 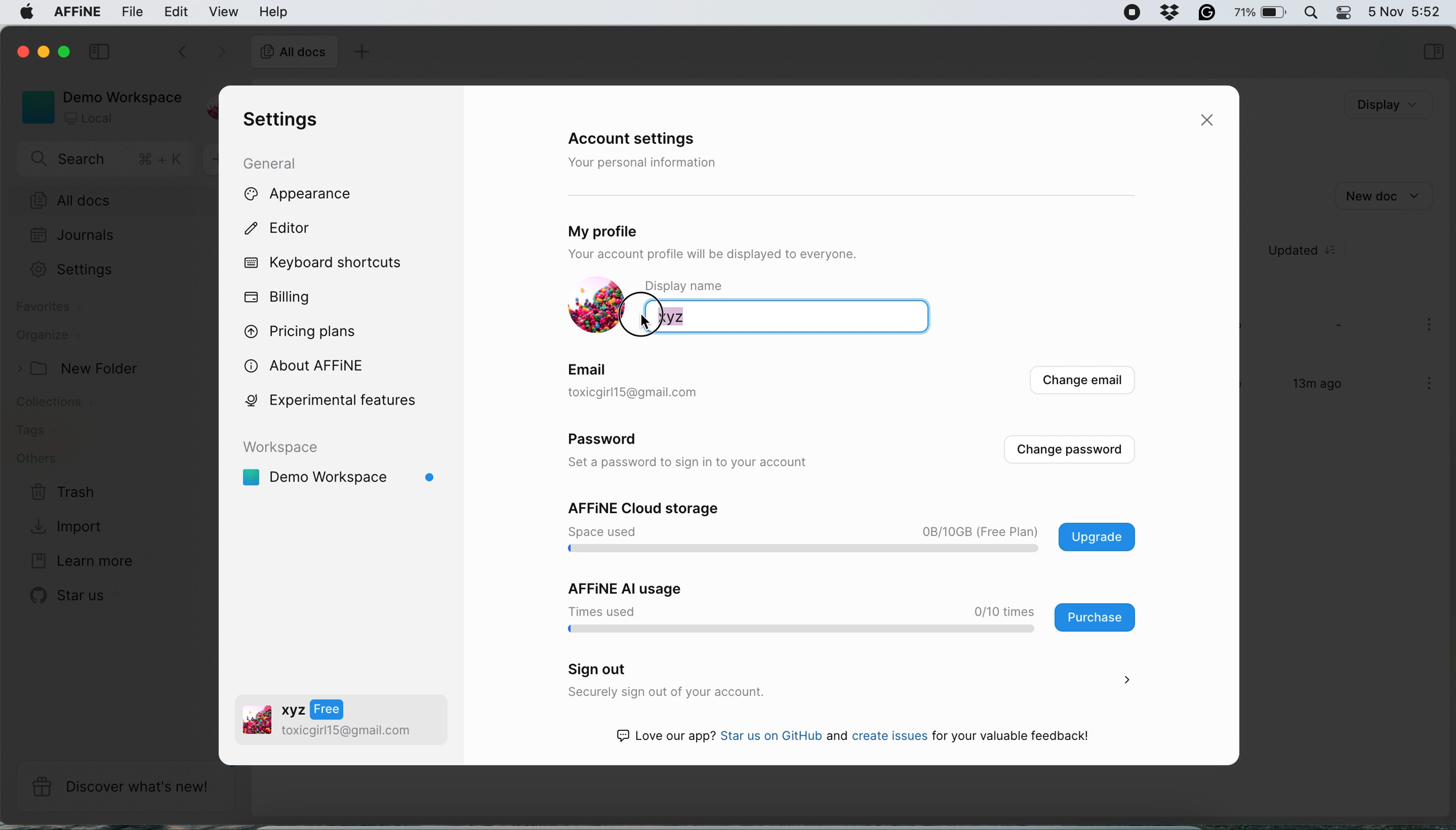 I want to click on trash, so click(x=64, y=493).